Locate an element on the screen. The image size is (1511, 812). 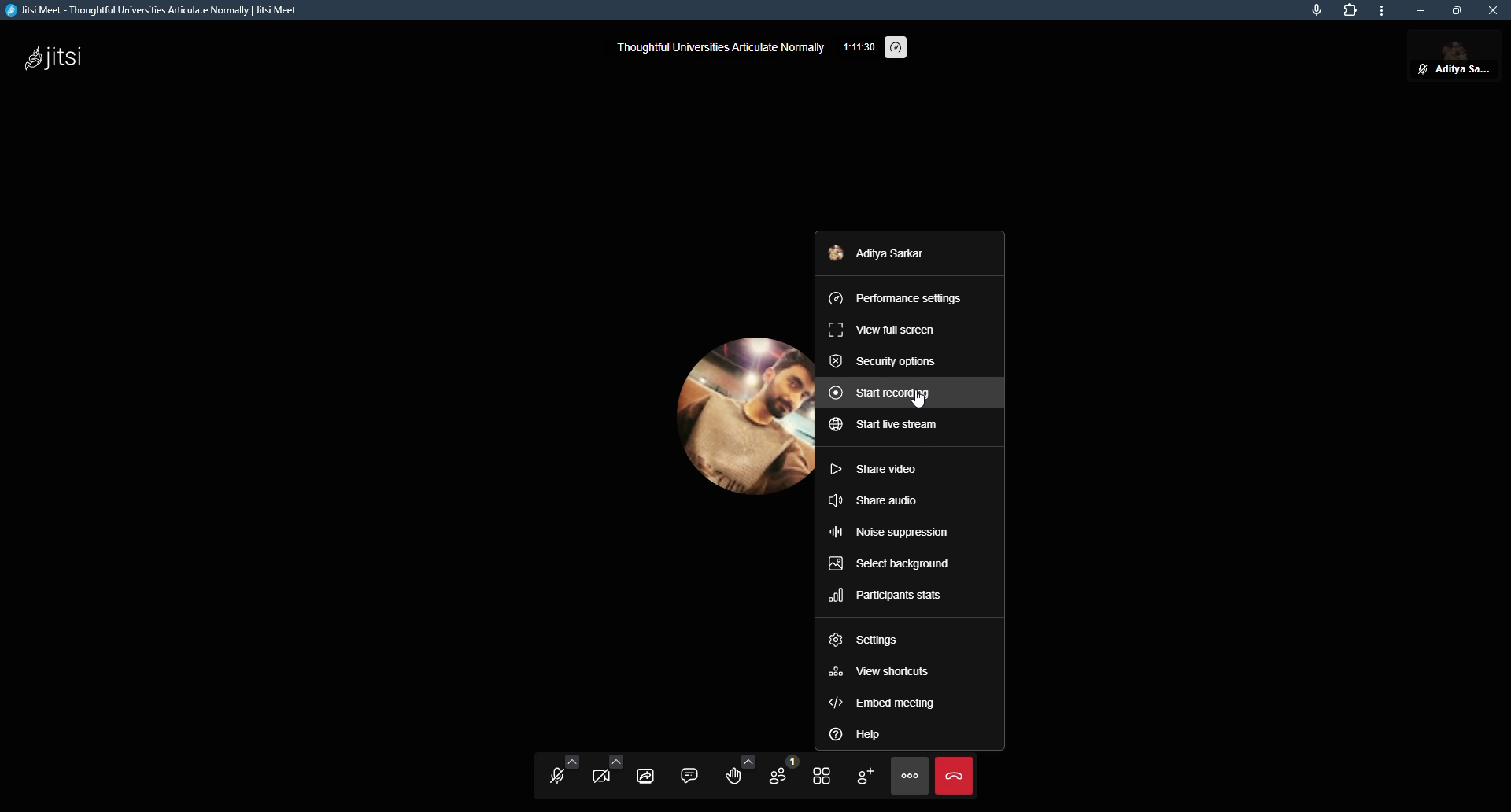
start recording is located at coordinates (885, 392).